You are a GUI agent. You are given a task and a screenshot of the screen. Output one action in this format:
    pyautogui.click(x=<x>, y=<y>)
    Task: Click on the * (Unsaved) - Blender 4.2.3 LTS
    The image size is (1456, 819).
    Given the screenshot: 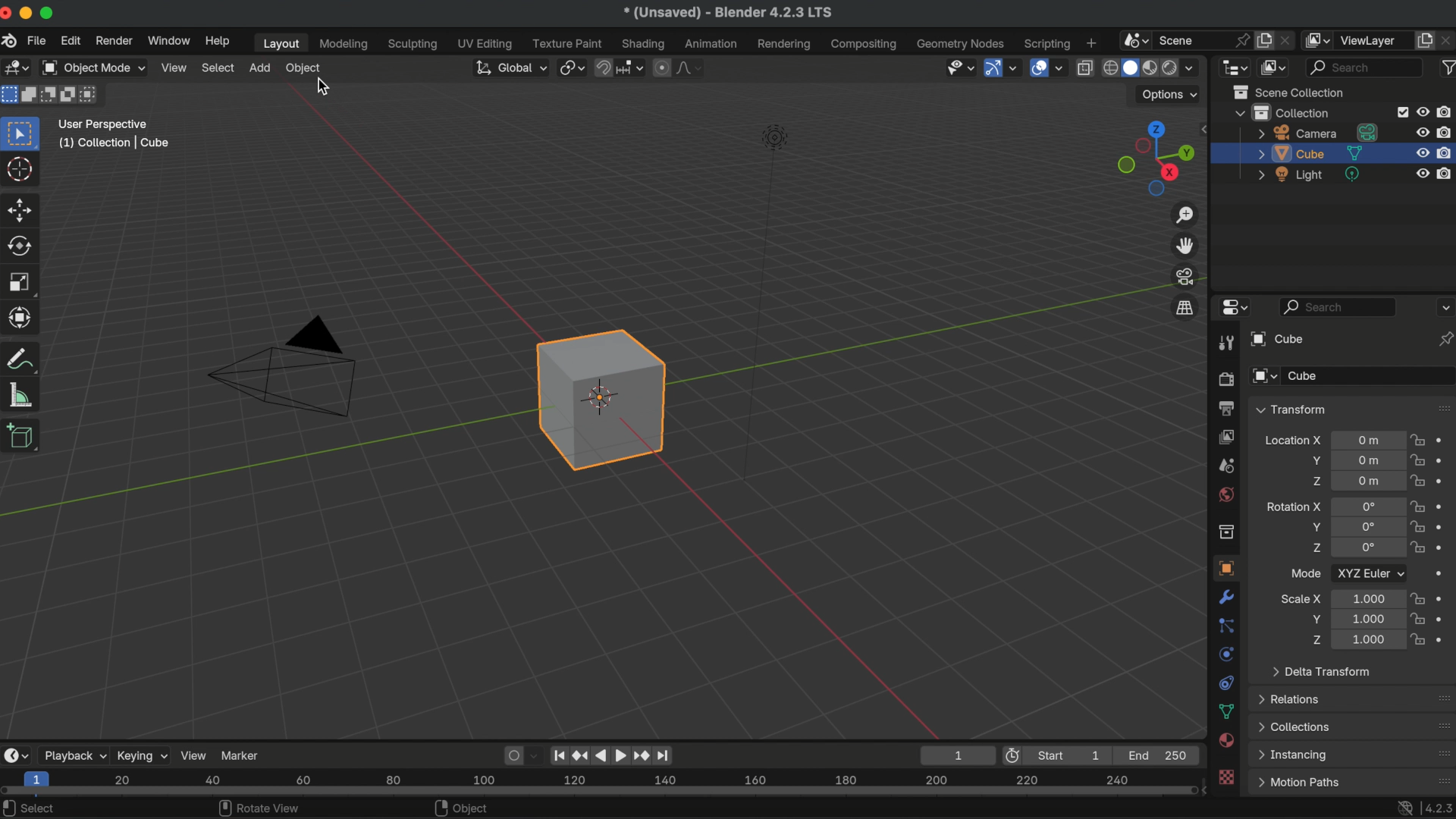 What is the action you would take?
    pyautogui.click(x=727, y=14)
    